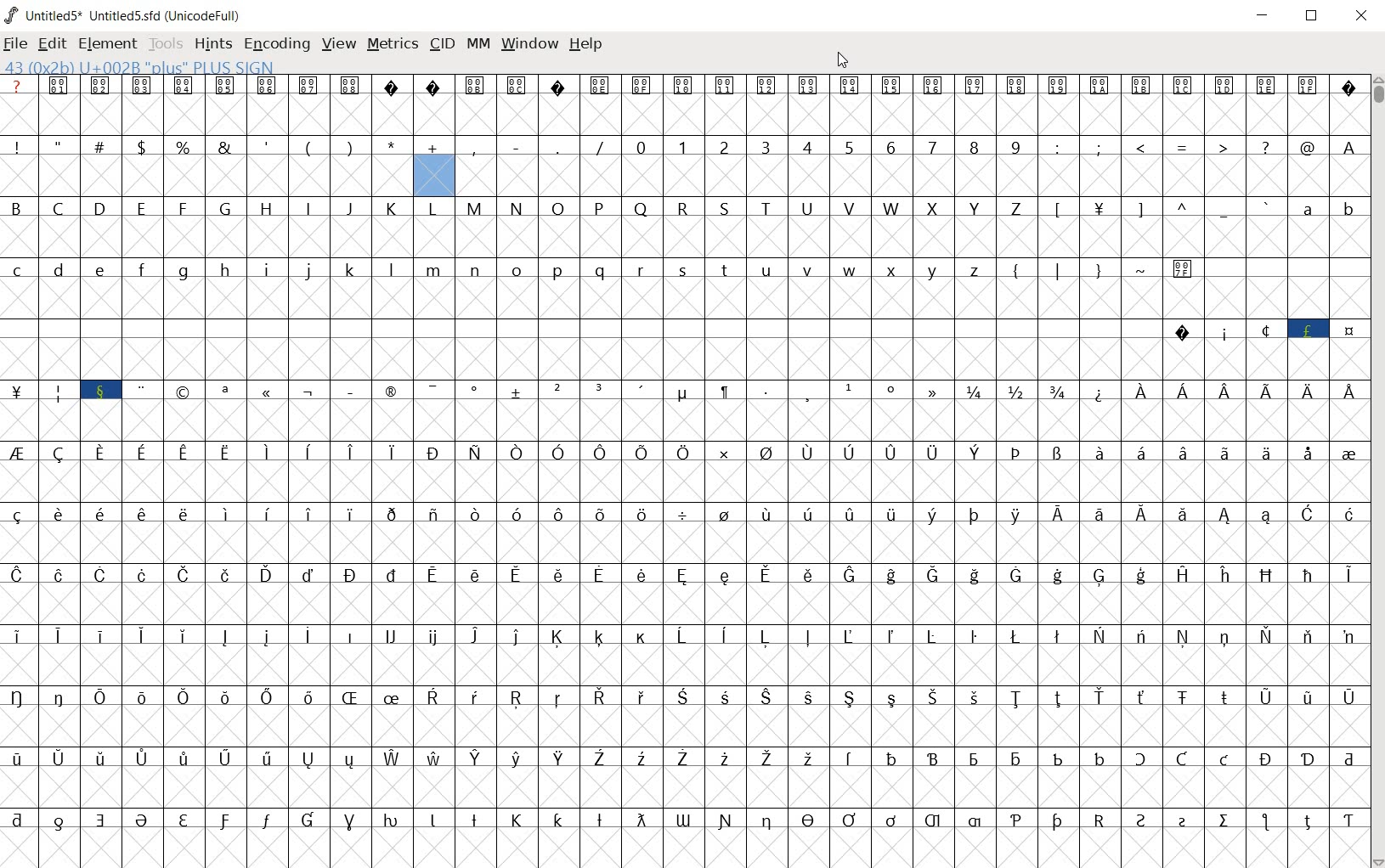 The image size is (1385, 868). Describe the element at coordinates (495, 413) in the screenshot. I see `special characters` at that location.